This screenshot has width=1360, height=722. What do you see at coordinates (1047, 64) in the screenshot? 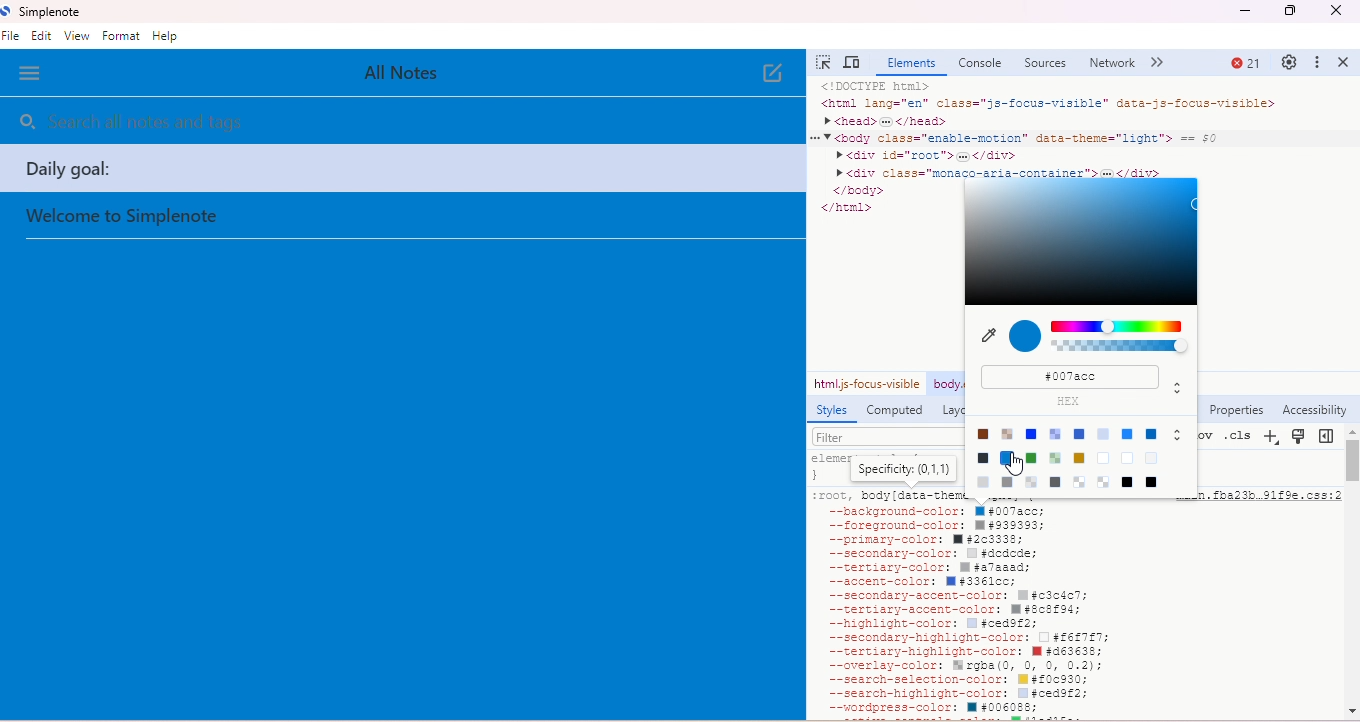
I see `sources` at bounding box center [1047, 64].